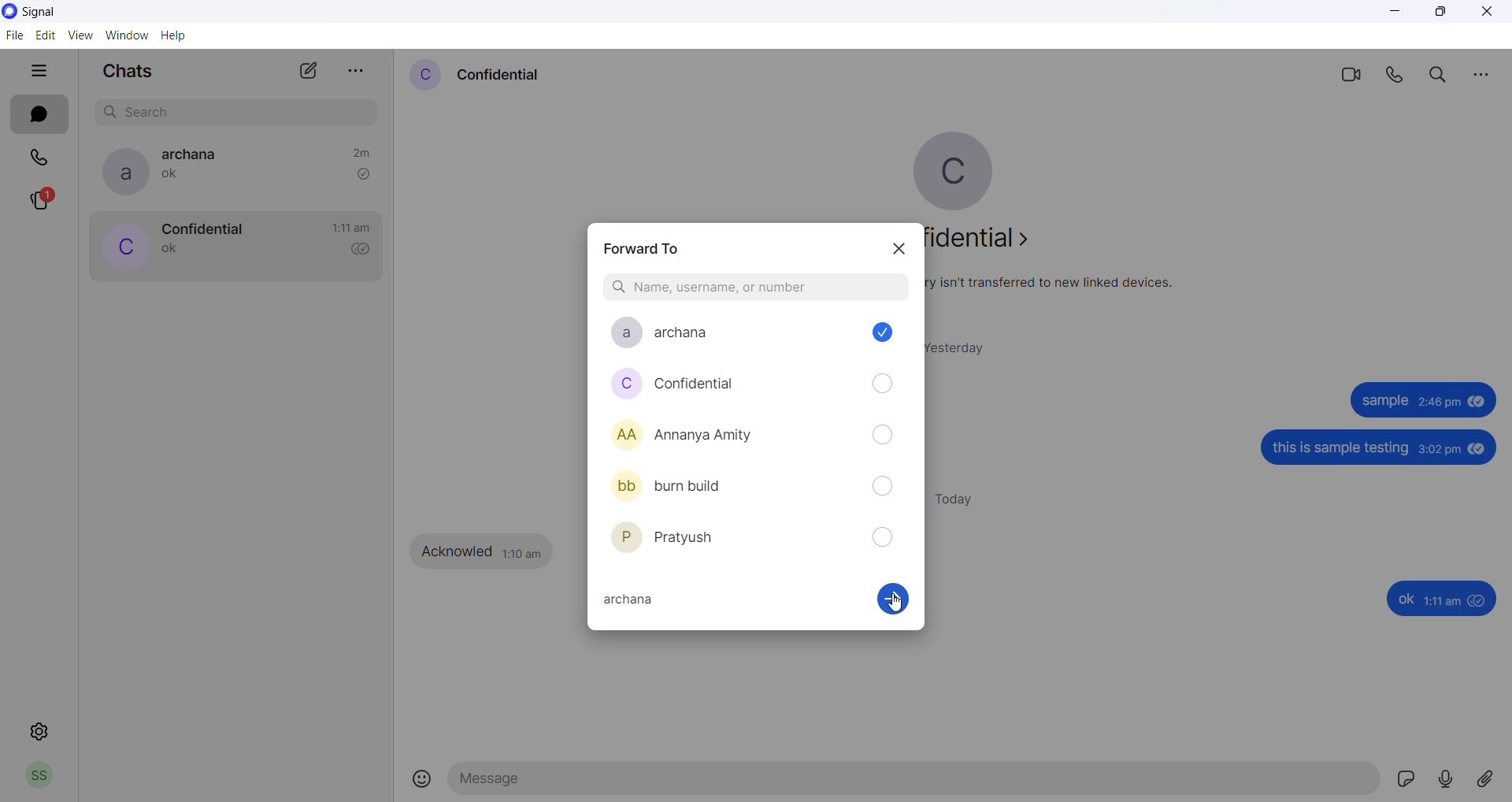 The image size is (1512, 802). Describe the element at coordinates (39, 778) in the screenshot. I see `profile` at that location.